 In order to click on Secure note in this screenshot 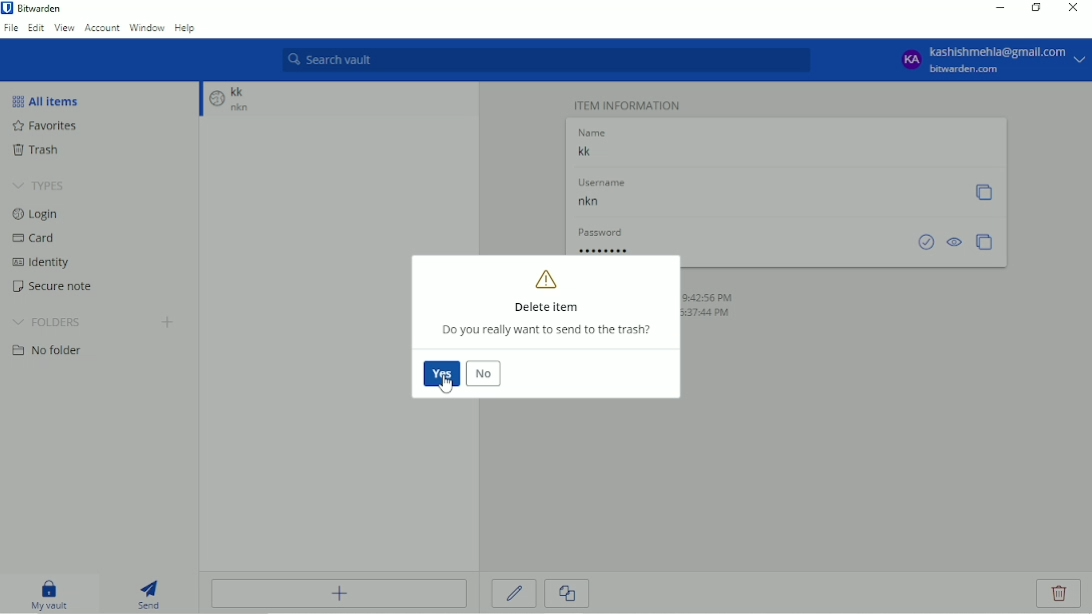, I will do `click(54, 286)`.